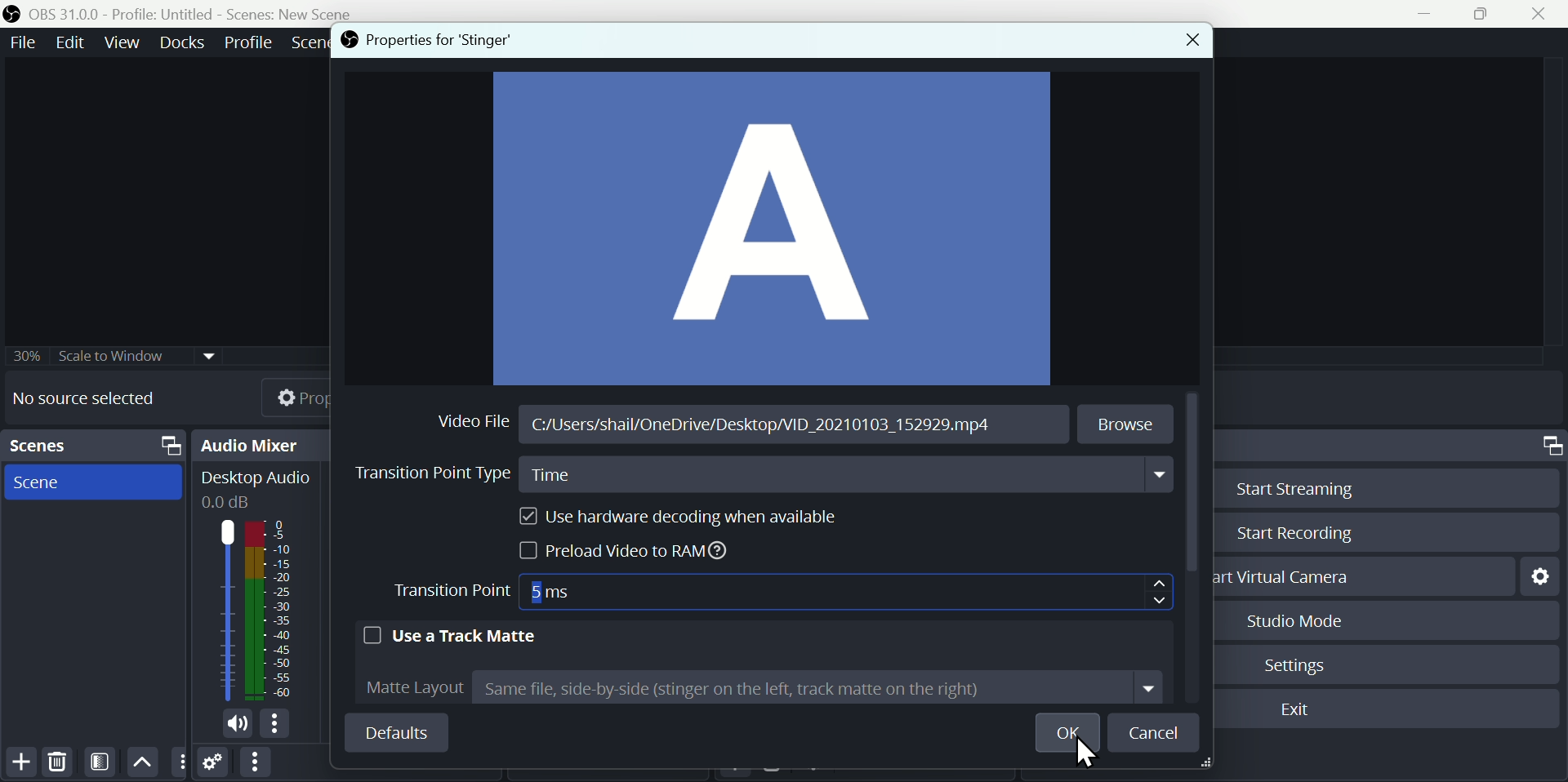 This screenshot has height=782, width=1568. Describe the element at coordinates (73, 42) in the screenshot. I see `` at that location.